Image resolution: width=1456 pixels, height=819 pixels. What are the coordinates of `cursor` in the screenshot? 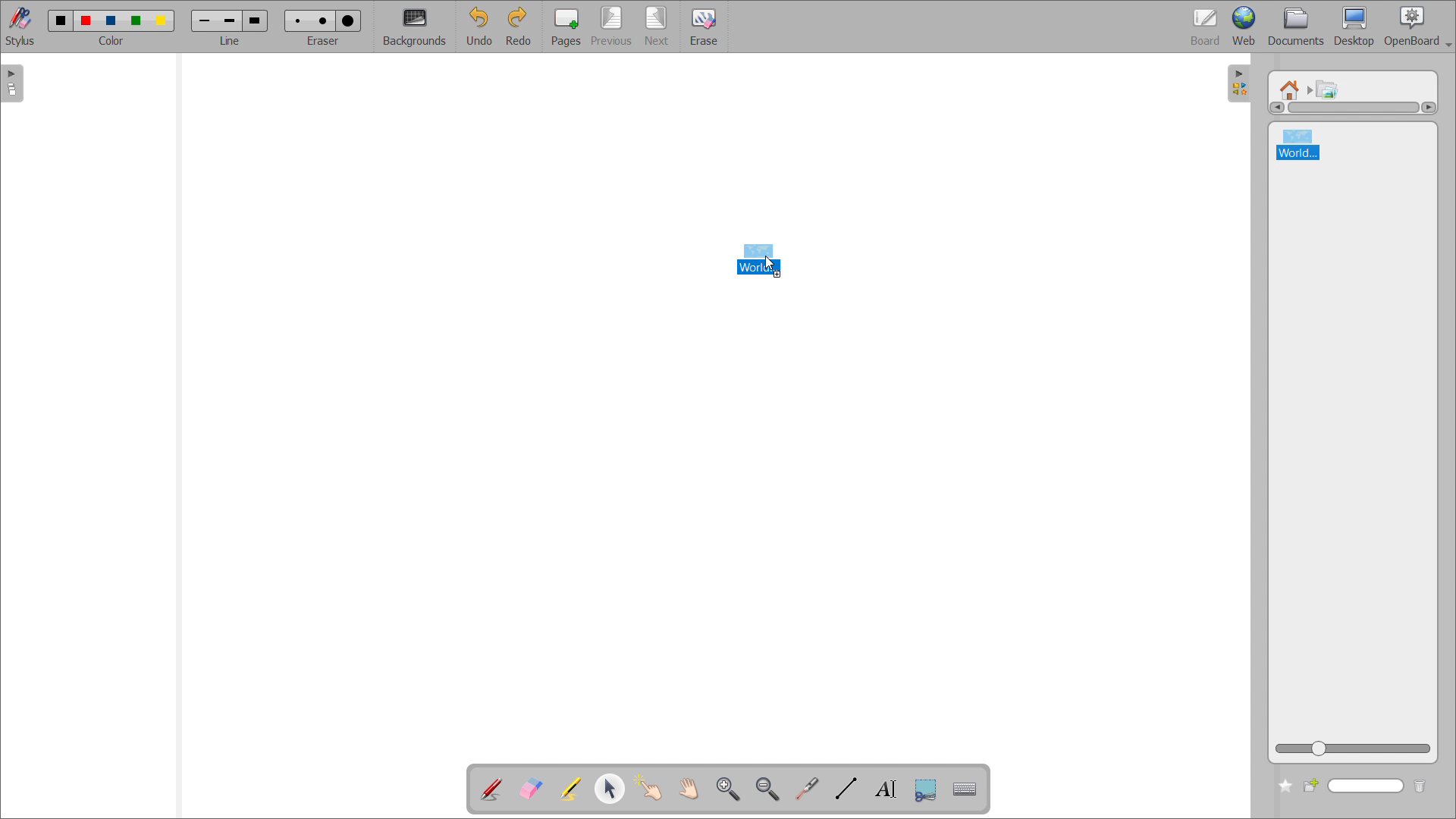 It's located at (773, 268).